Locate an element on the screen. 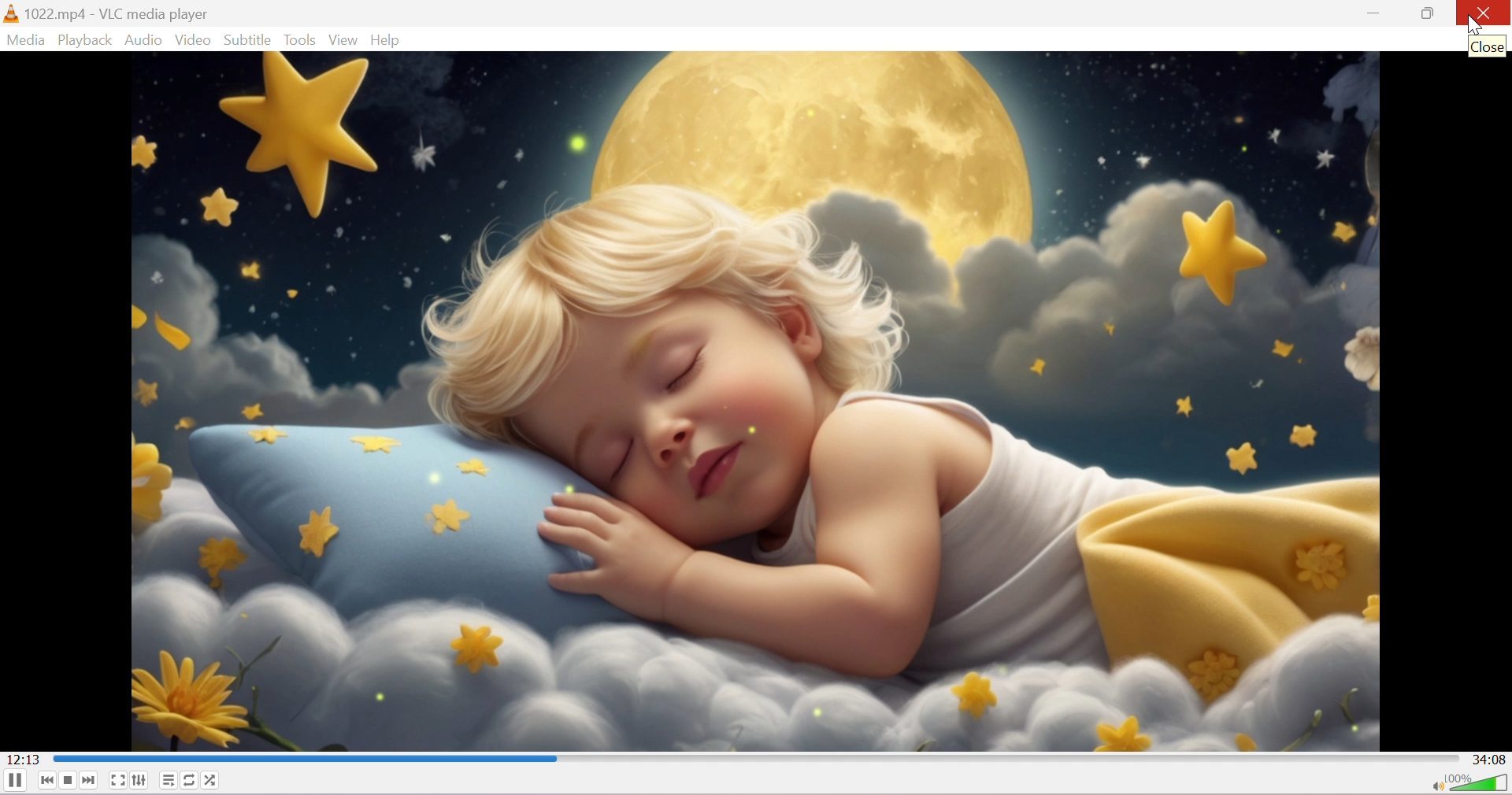 This screenshot has width=1512, height=795. vlc media player logo is located at coordinates (11, 13).